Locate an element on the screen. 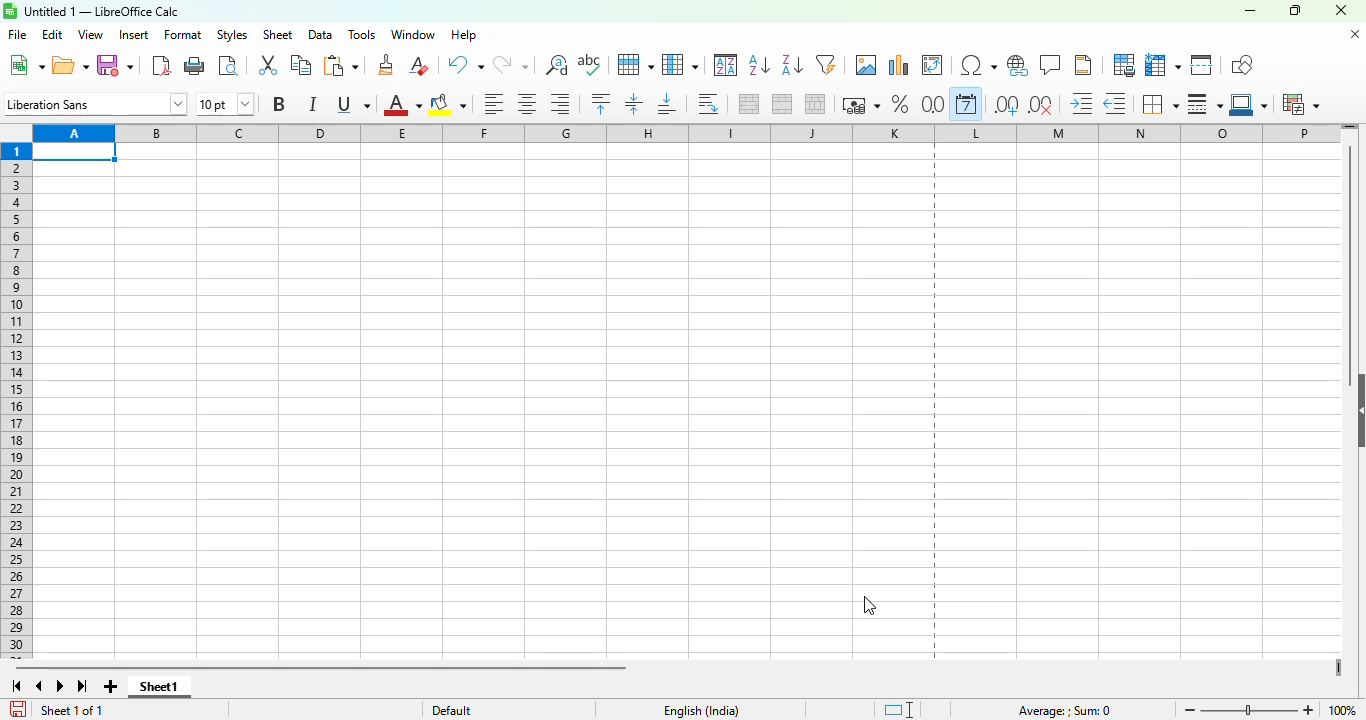  save is located at coordinates (115, 66).